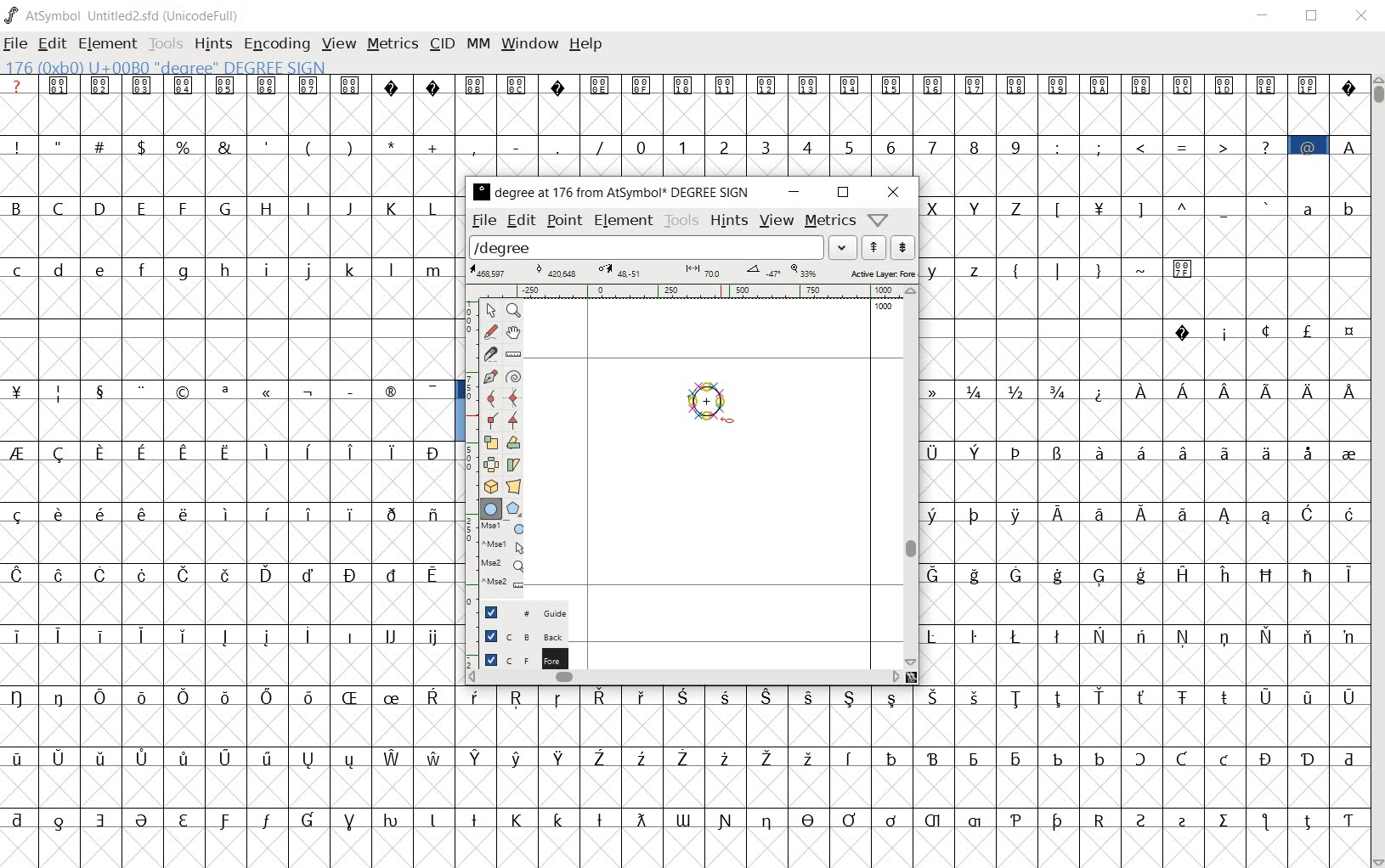 This screenshot has width=1385, height=868. Describe the element at coordinates (910, 755) in the screenshot. I see `special letters` at that location.